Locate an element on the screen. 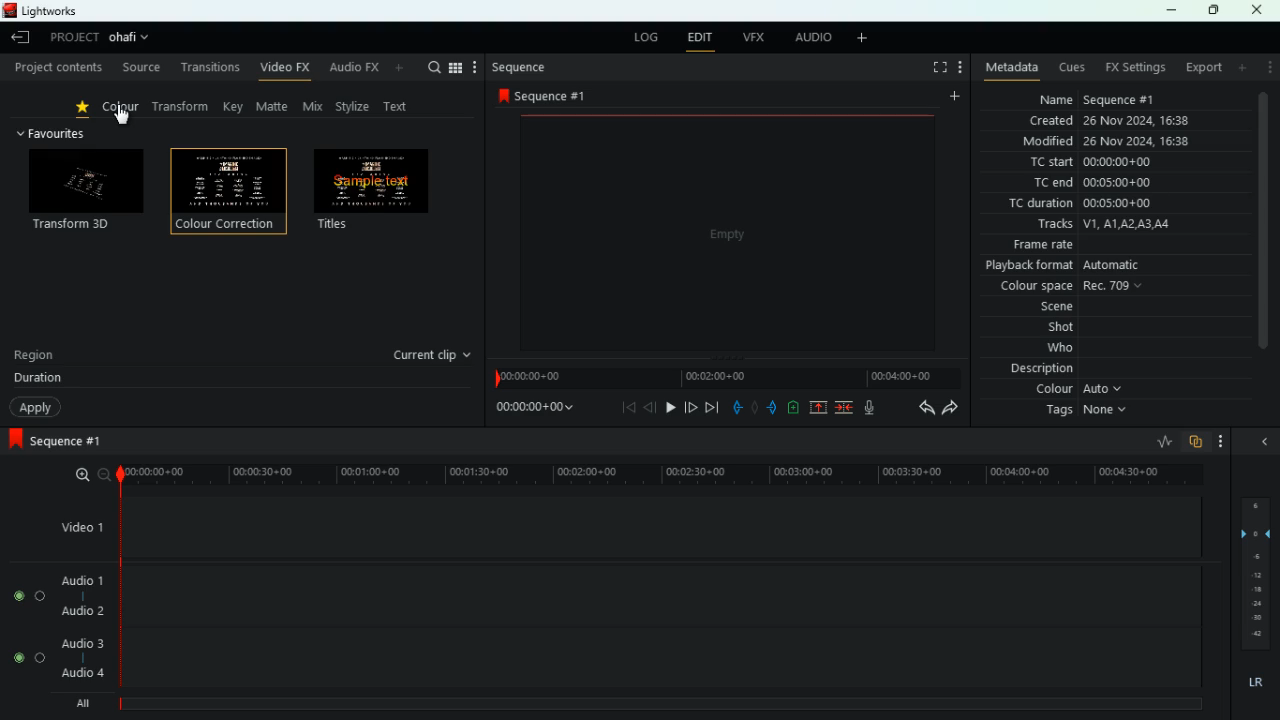 The image size is (1280, 720). layers is located at coordinates (1254, 575).